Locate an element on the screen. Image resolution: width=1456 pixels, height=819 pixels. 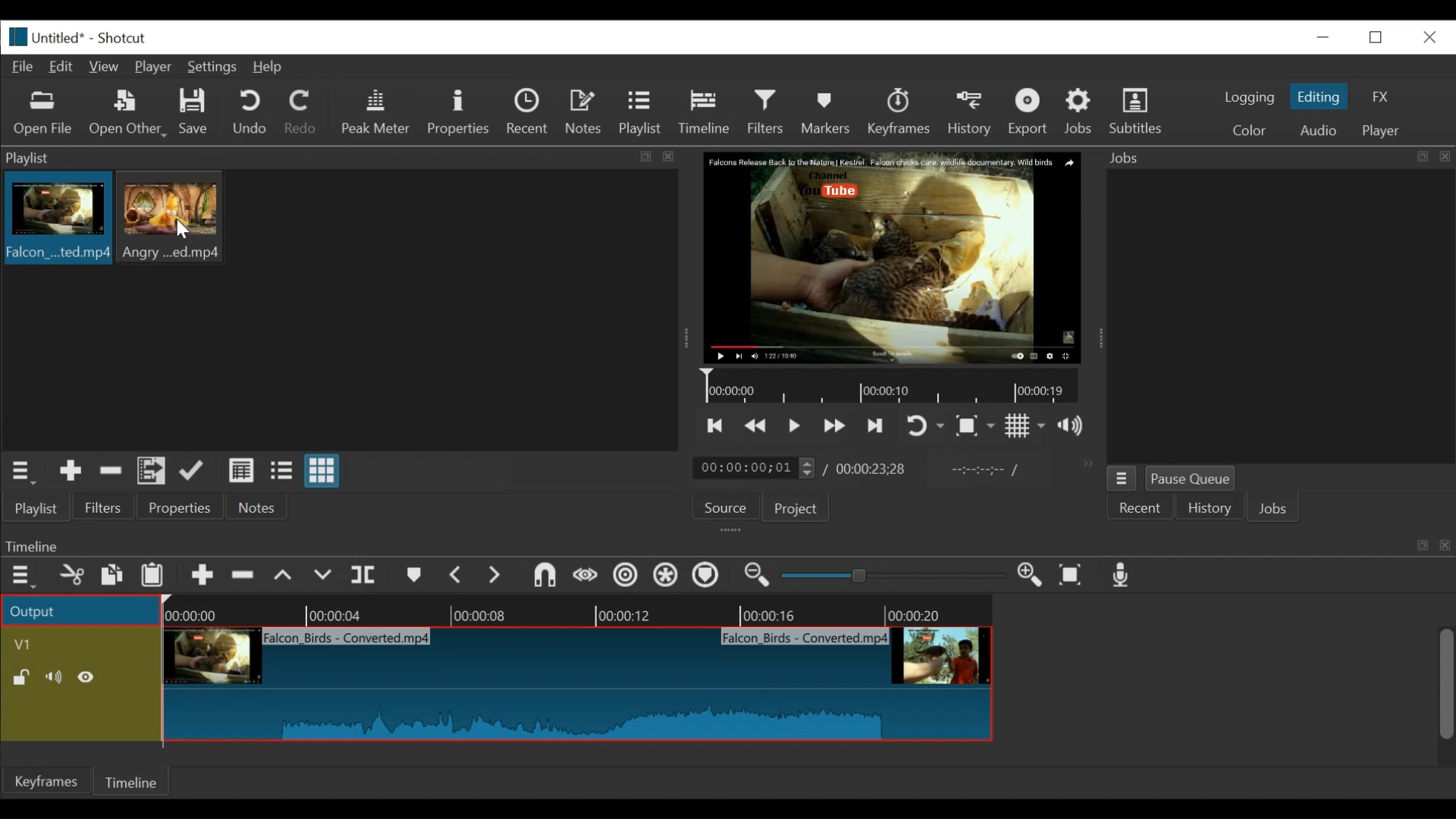
Properties is located at coordinates (460, 112).